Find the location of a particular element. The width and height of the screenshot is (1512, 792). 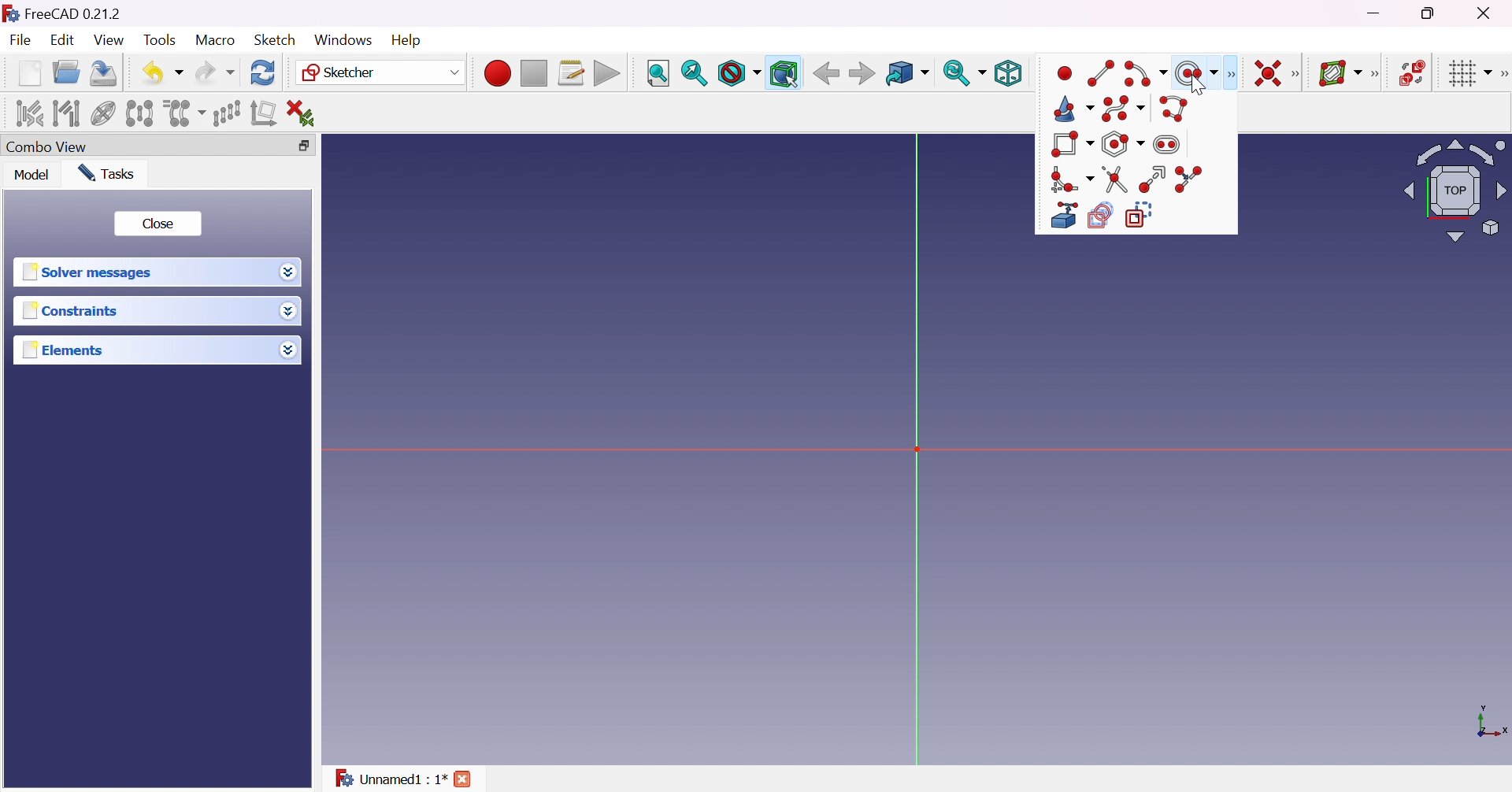

Undo is located at coordinates (163, 72).